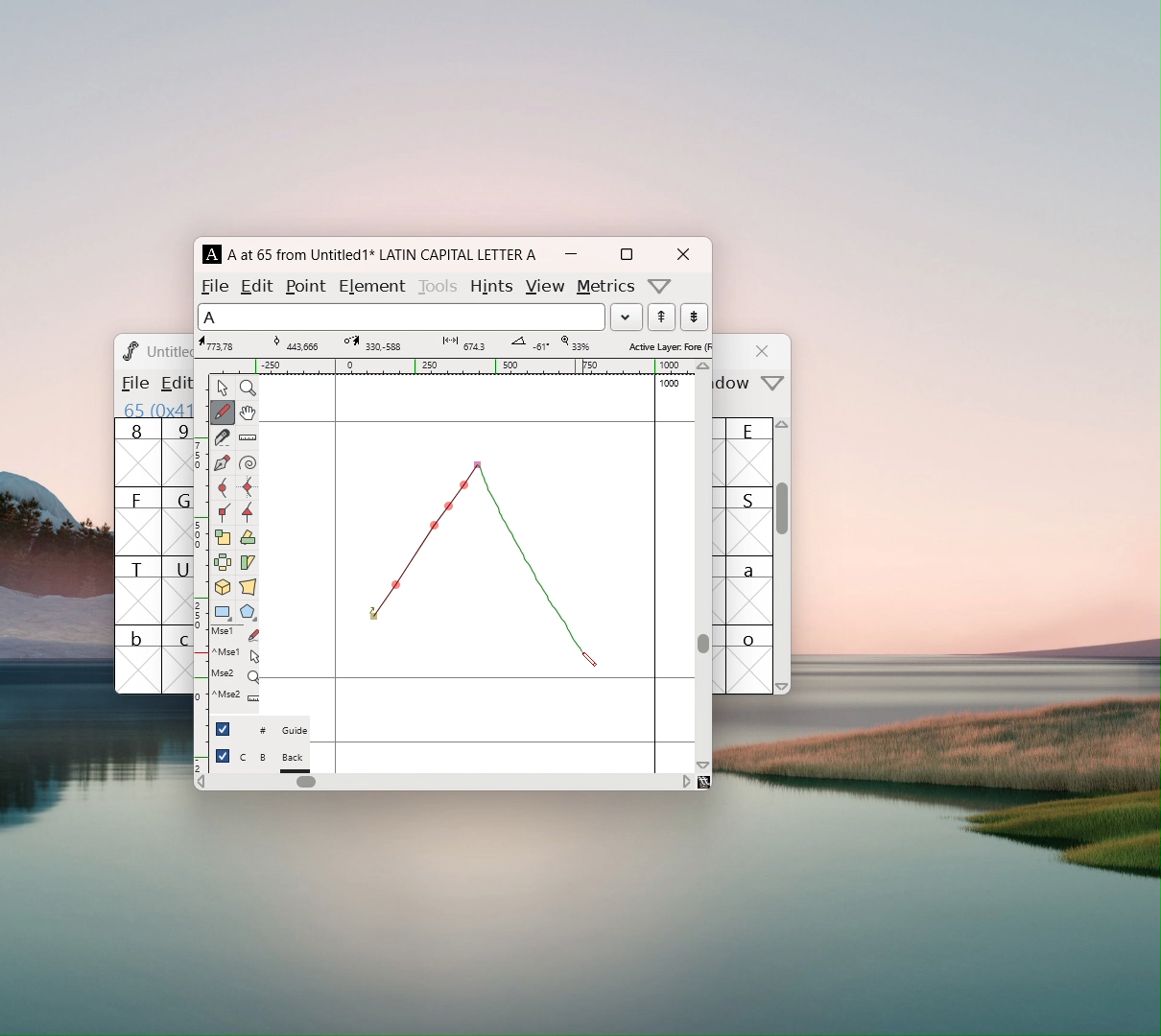 The image size is (1161, 1036). I want to click on metrics, so click(606, 287).